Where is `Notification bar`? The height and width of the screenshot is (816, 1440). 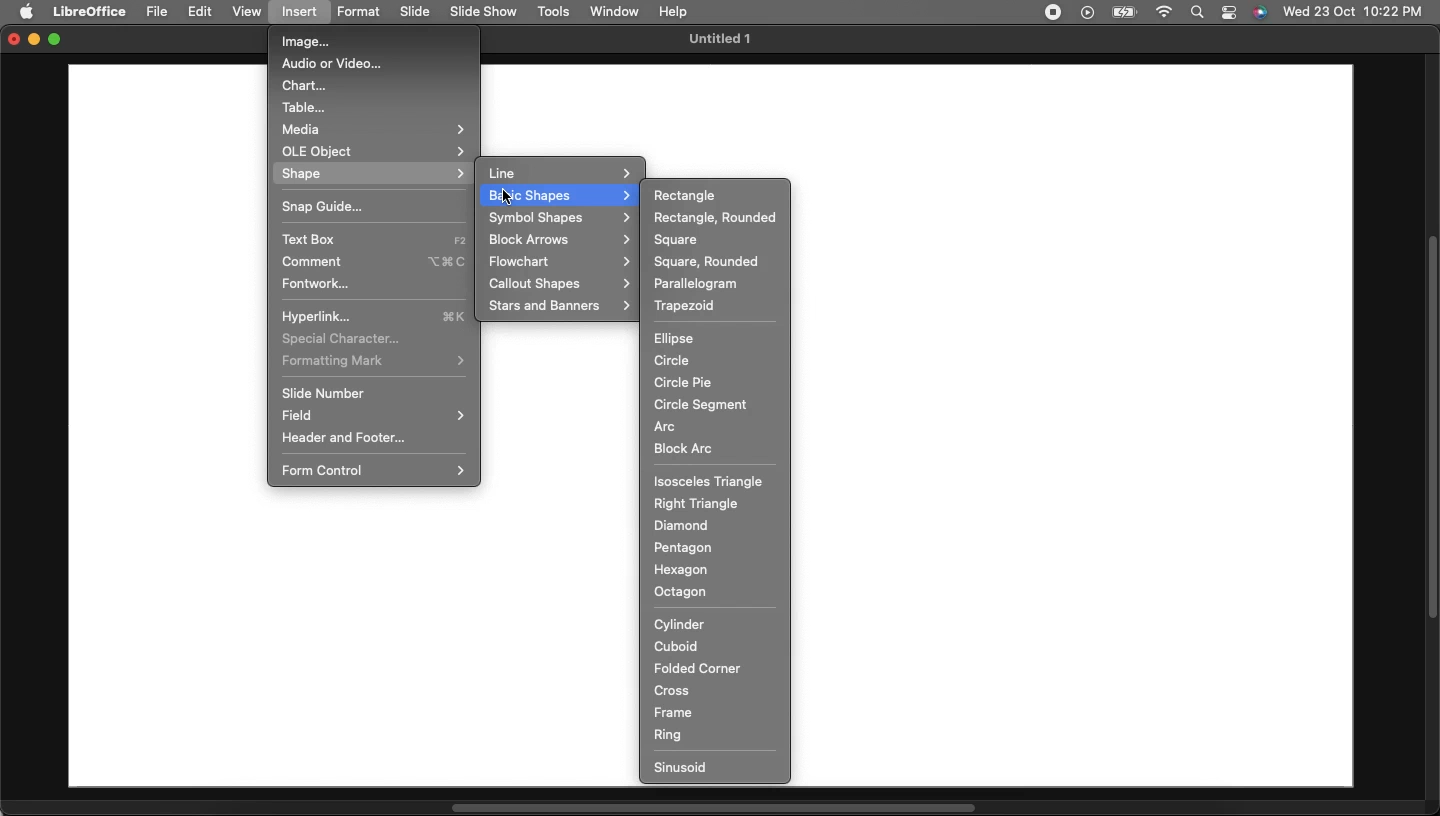
Notification bar is located at coordinates (1230, 13).